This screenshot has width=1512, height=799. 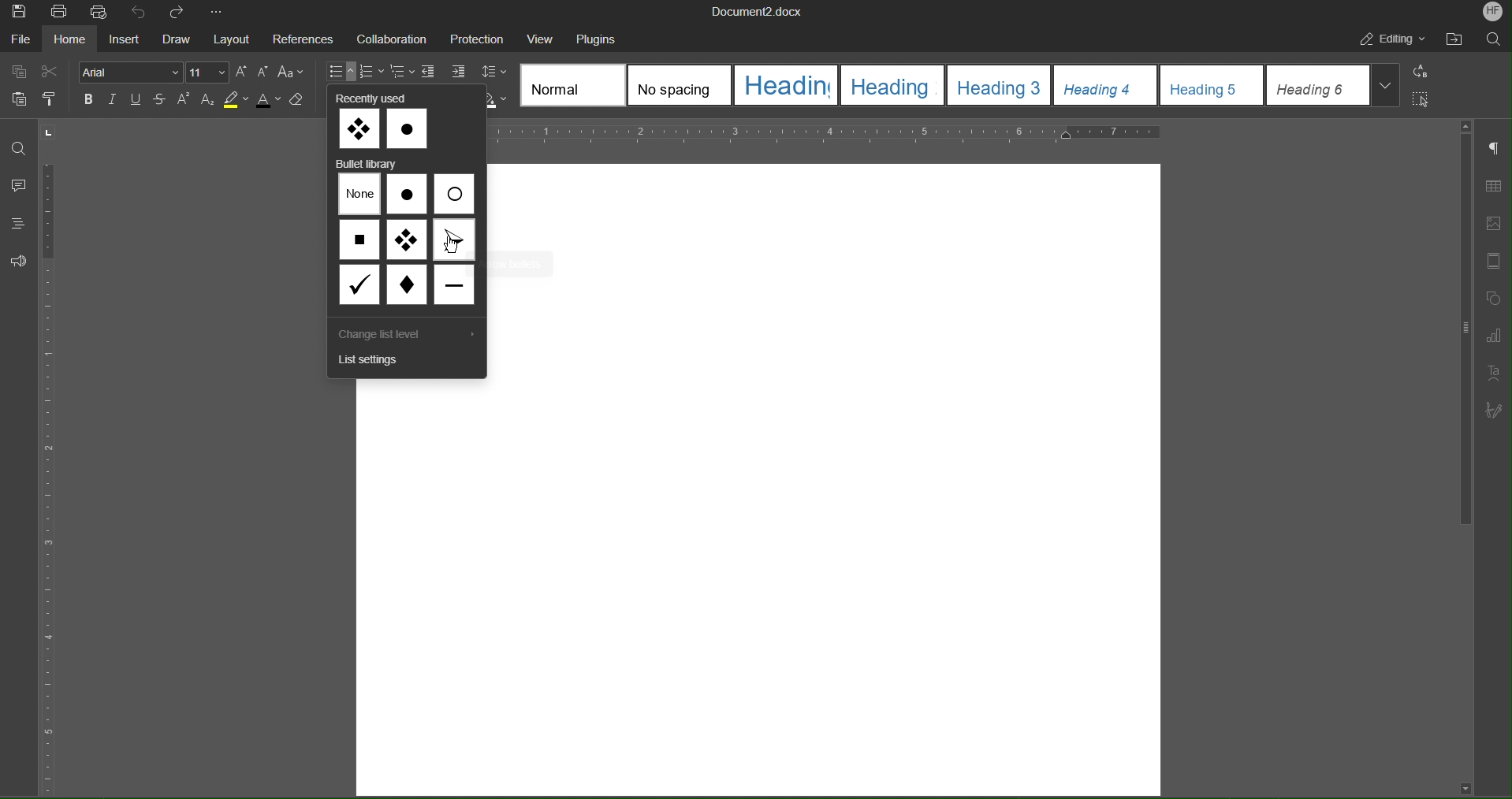 What do you see at coordinates (19, 13) in the screenshot?
I see `Save` at bounding box center [19, 13].